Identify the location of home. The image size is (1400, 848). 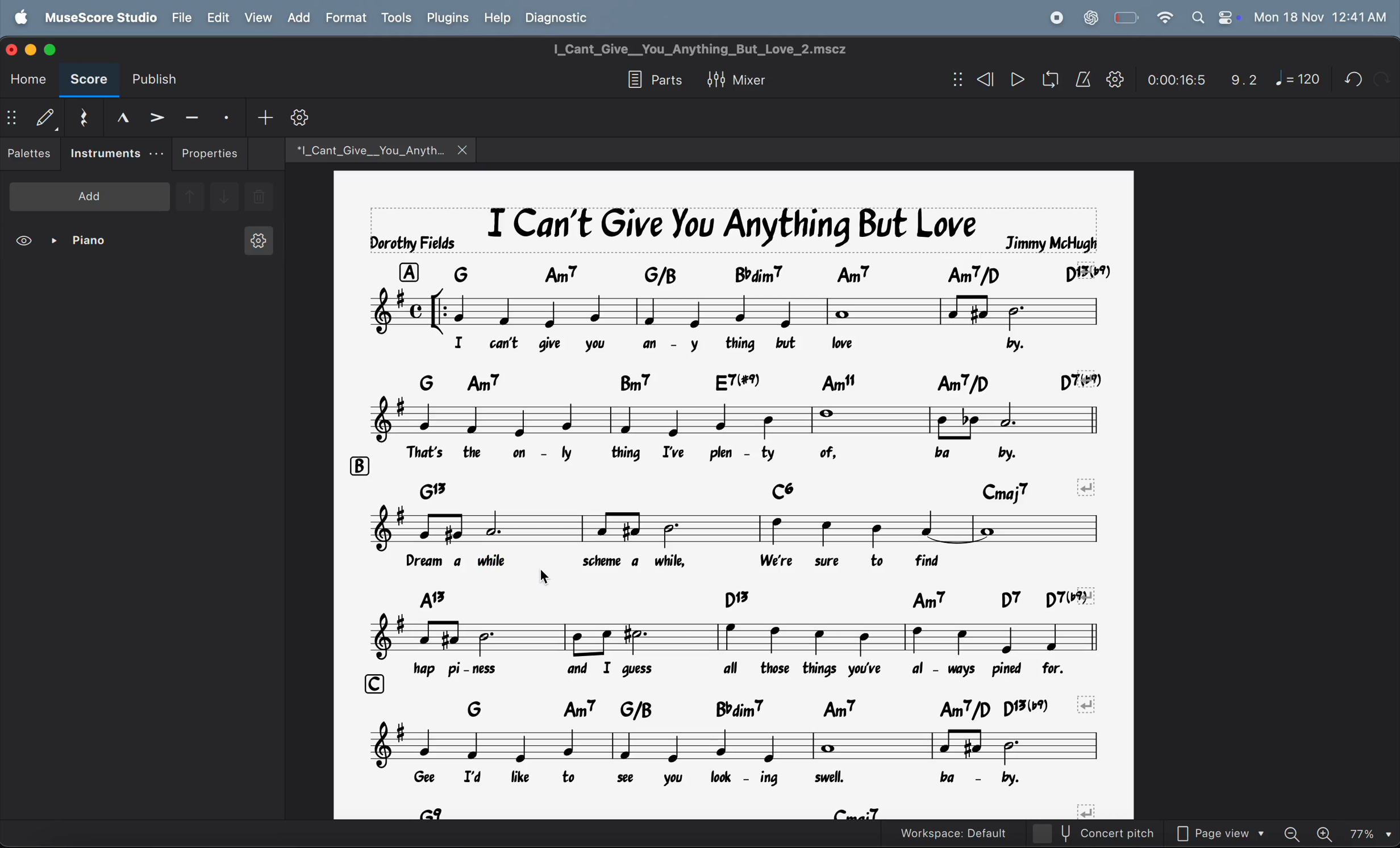
(28, 80).